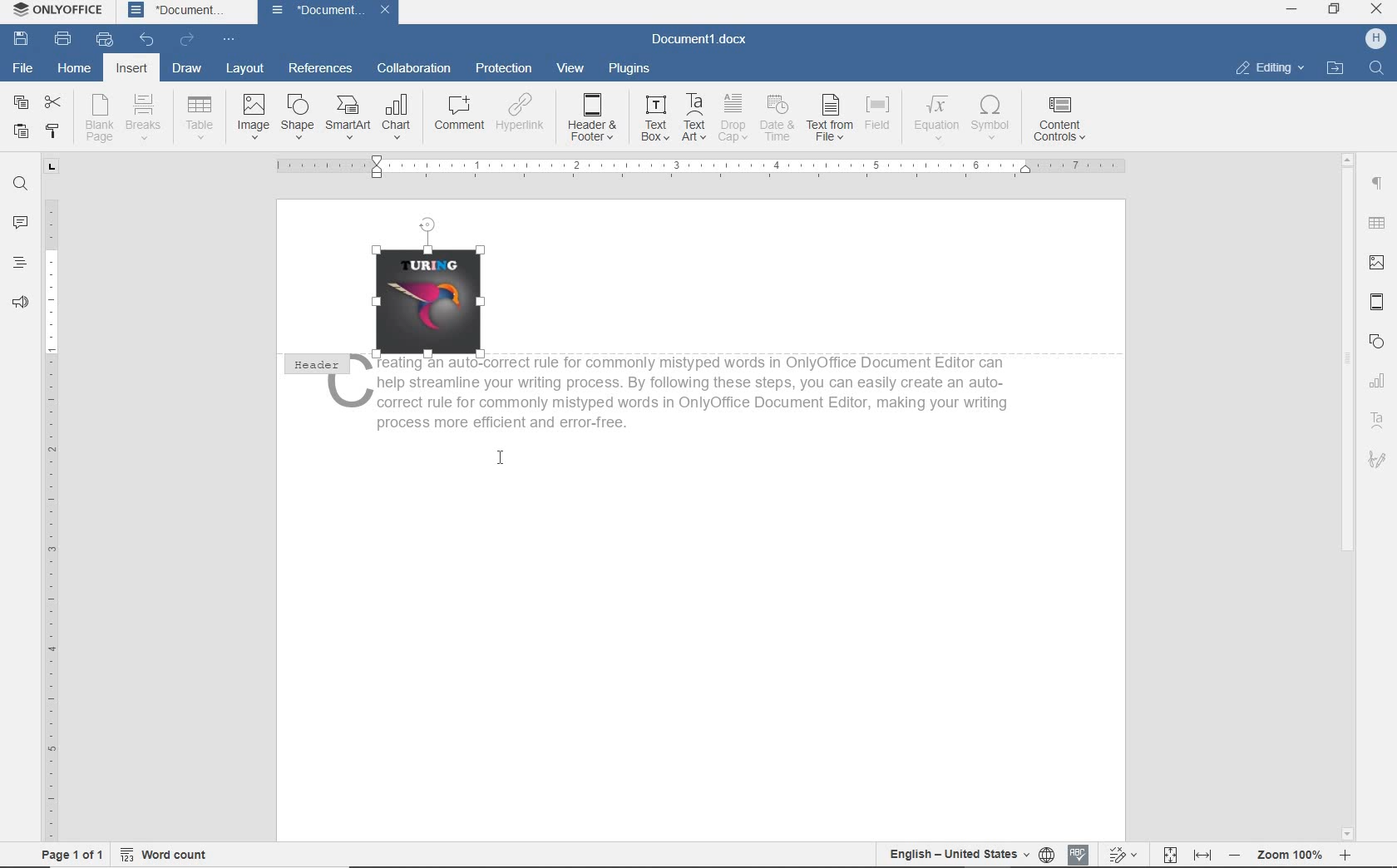 The image size is (1397, 868). Describe the element at coordinates (1335, 69) in the screenshot. I see `OPEN FILE LOCTION` at that location.